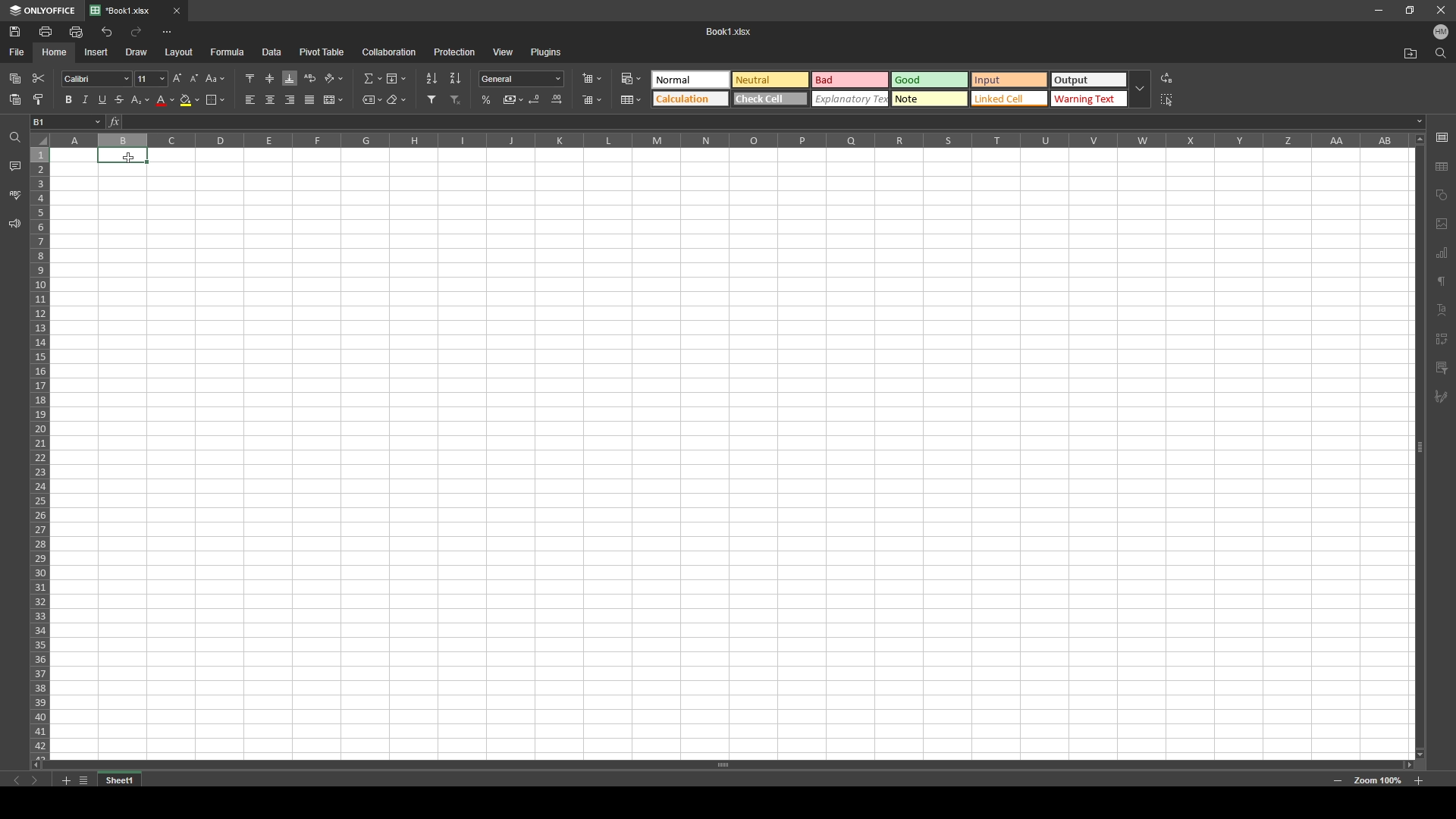 This screenshot has width=1456, height=819. I want to click on resize, so click(1408, 11).